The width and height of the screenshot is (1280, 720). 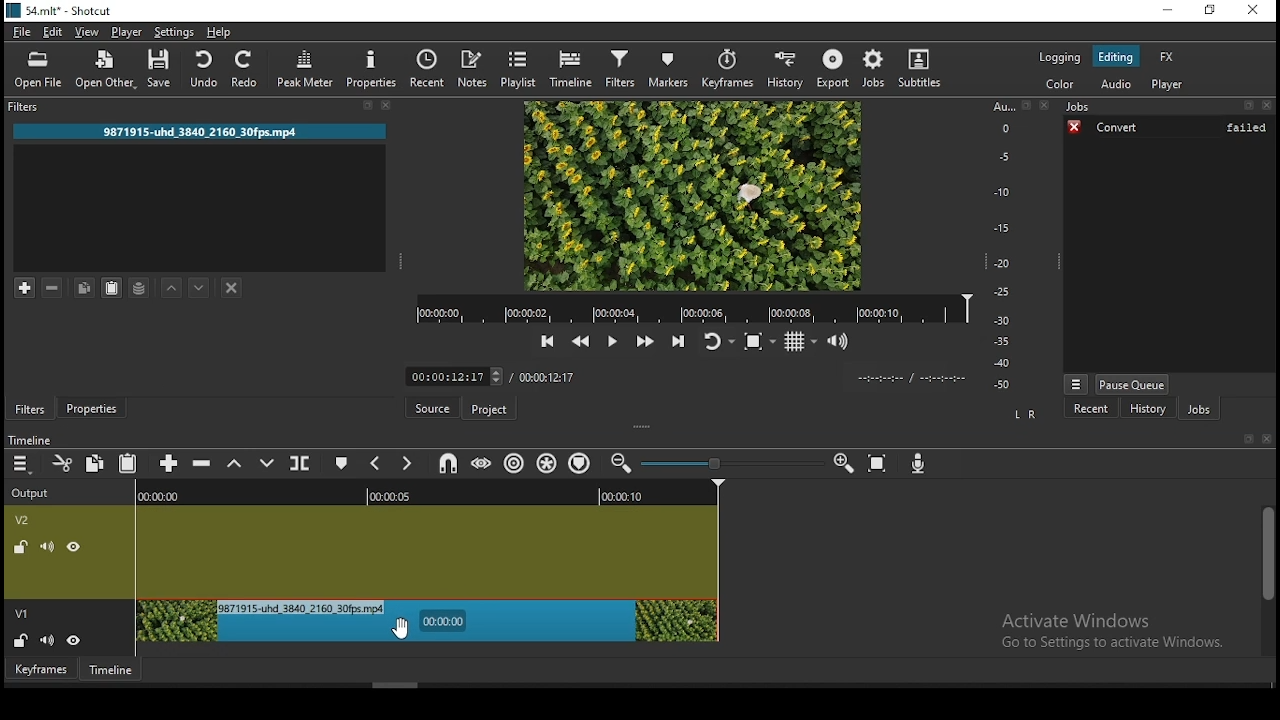 What do you see at coordinates (35, 492) in the screenshot?
I see `outpur` at bounding box center [35, 492].